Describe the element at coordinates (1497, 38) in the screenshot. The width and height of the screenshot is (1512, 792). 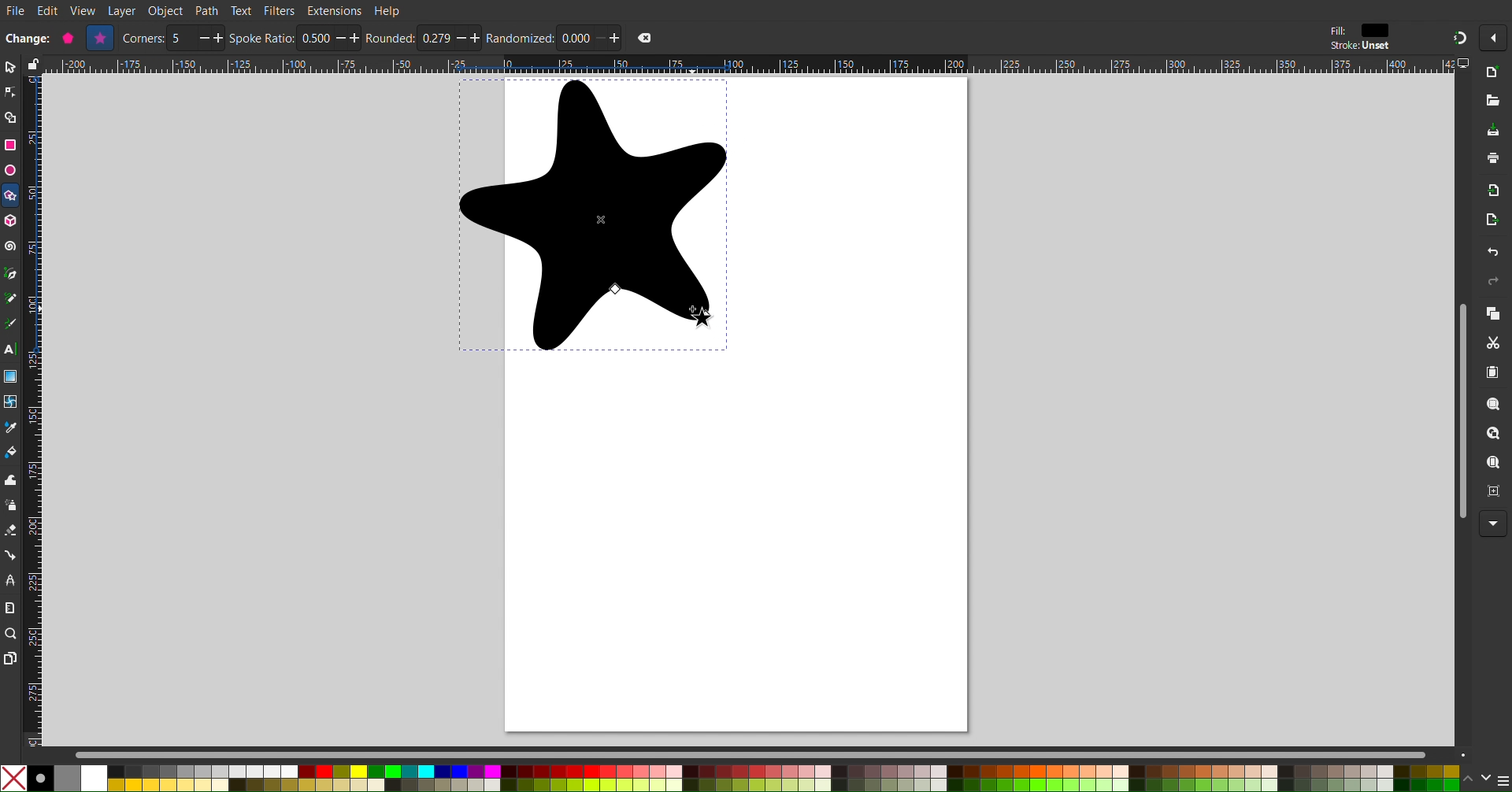
I see `More Options` at that location.